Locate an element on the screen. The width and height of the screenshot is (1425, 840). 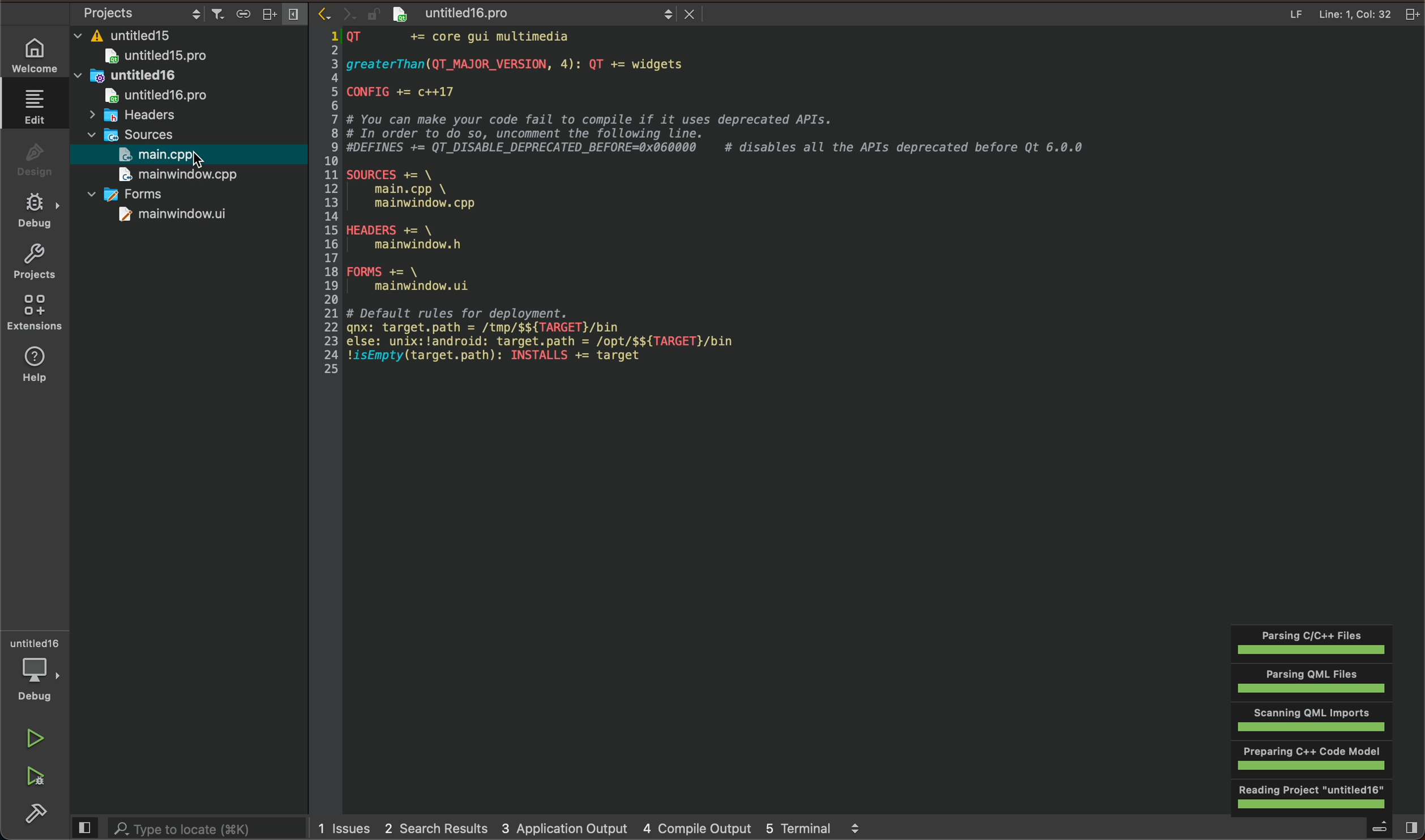
help is located at coordinates (38, 364).